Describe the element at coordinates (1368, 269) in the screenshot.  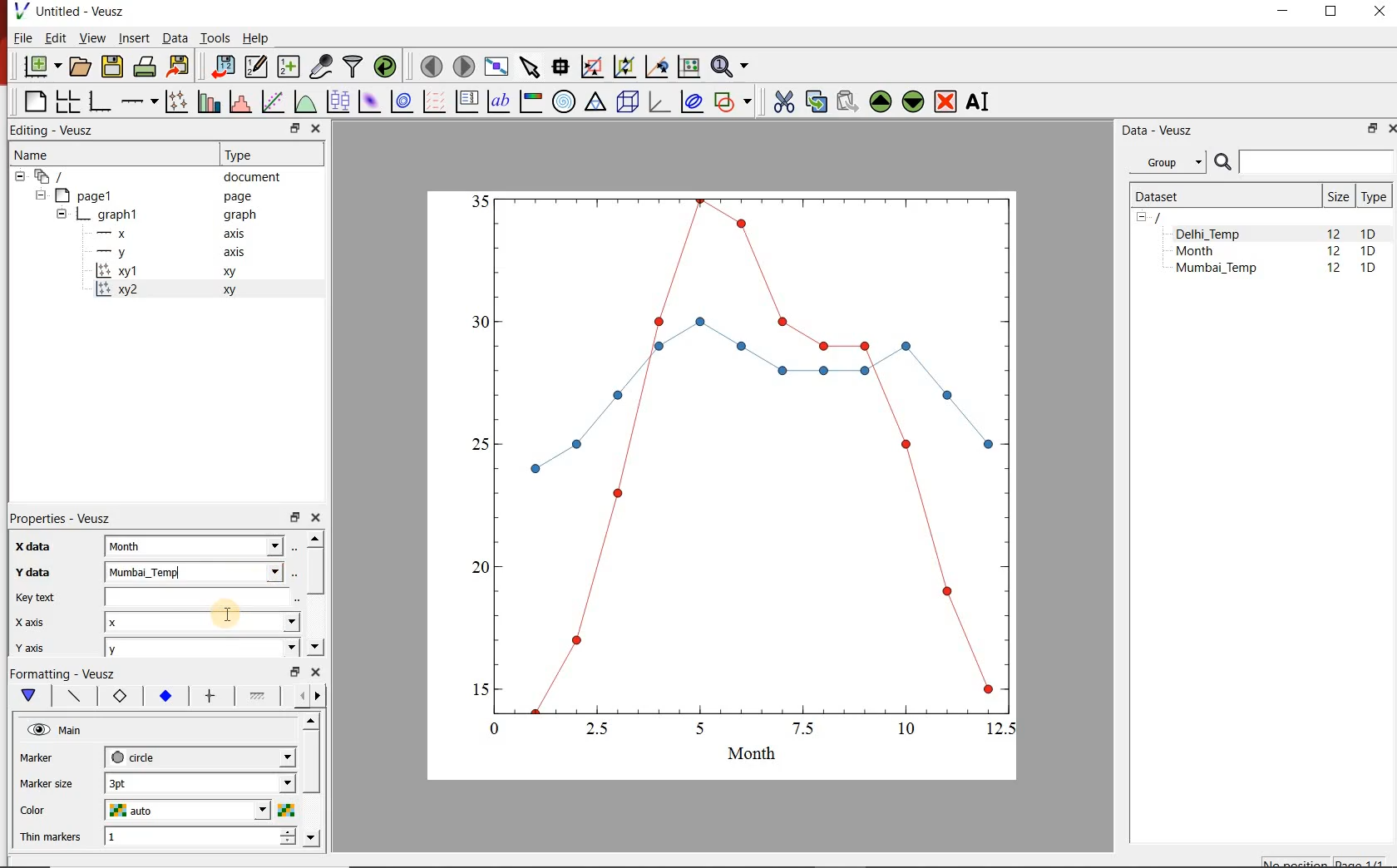
I see `1D` at that location.